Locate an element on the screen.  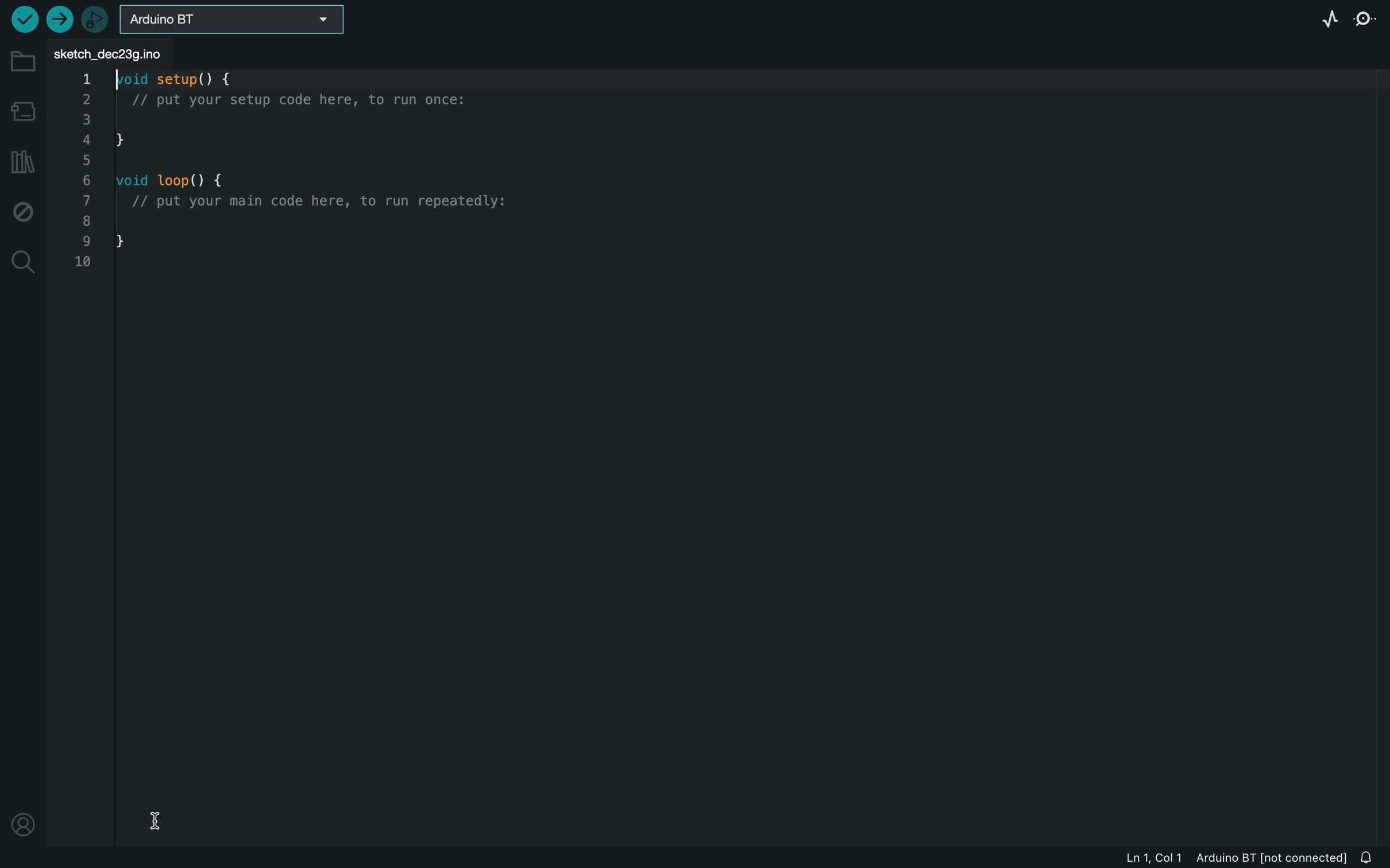
debug is located at coordinates (23, 208).